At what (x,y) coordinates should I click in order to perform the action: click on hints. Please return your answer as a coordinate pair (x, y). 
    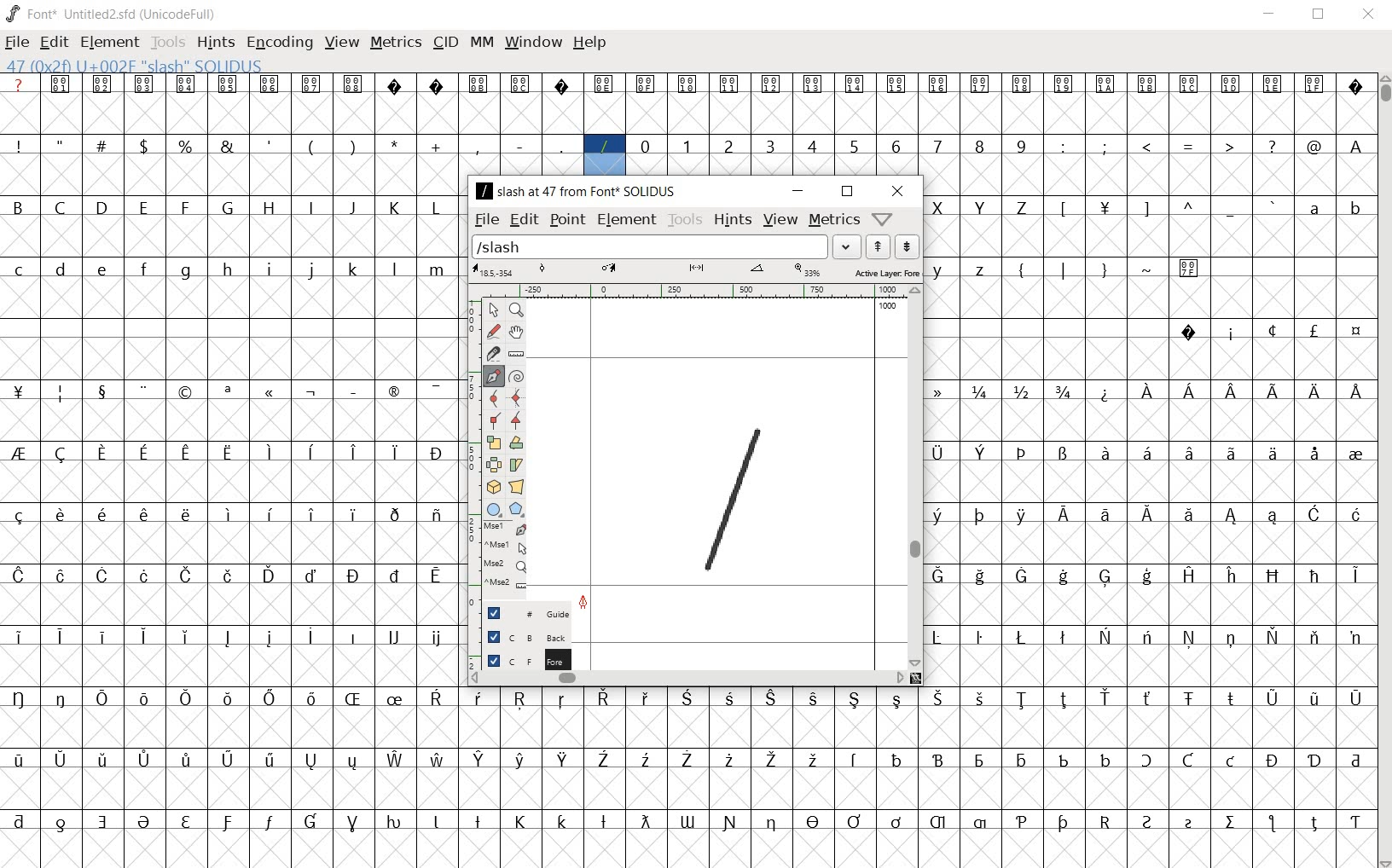
    Looking at the image, I should click on (732, 219).